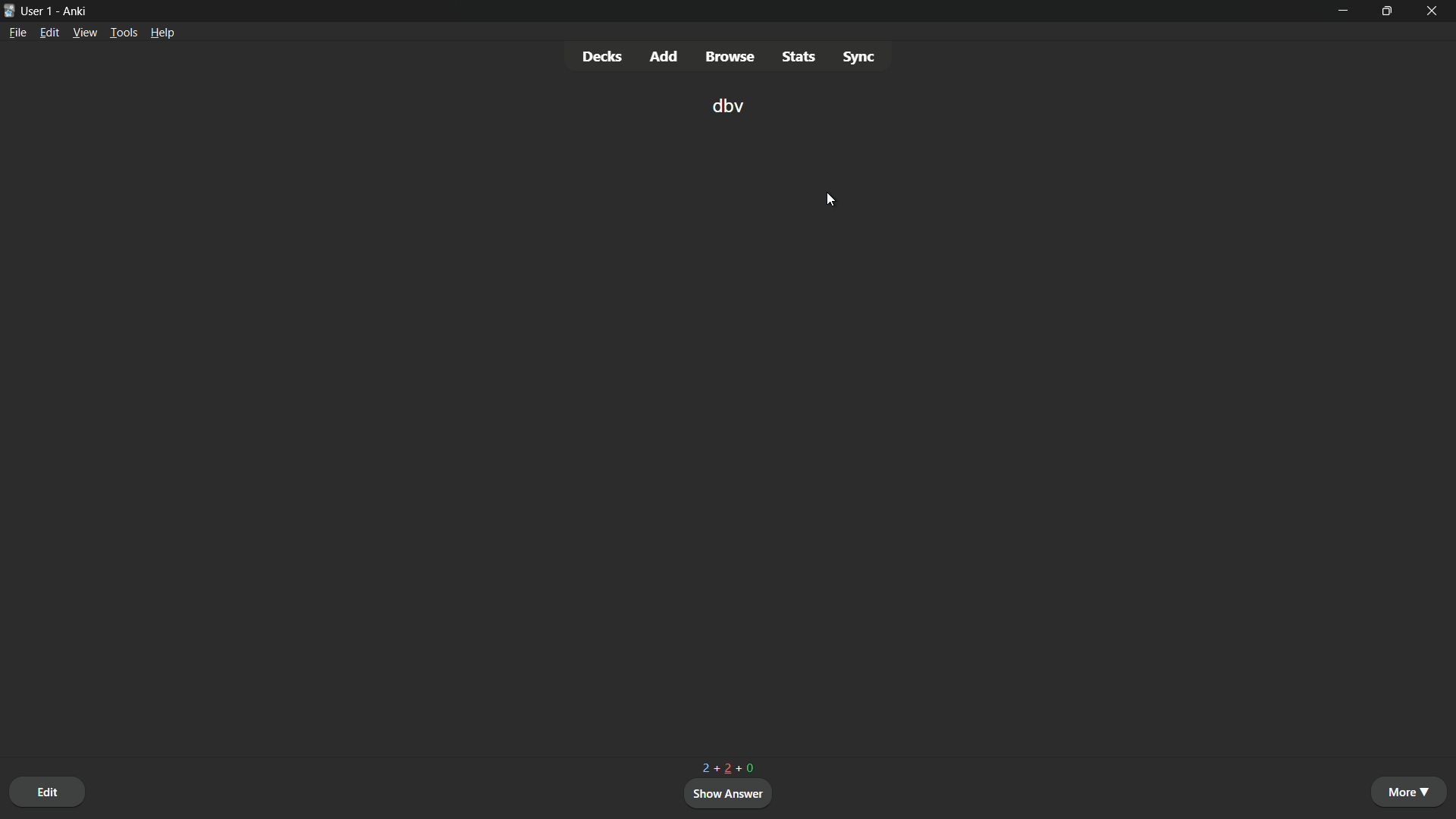 The image size is (1456, 819). What do you see at coordinates (48, 792) in the screenshot?
I see `edit` at bounding box center [48, 792].